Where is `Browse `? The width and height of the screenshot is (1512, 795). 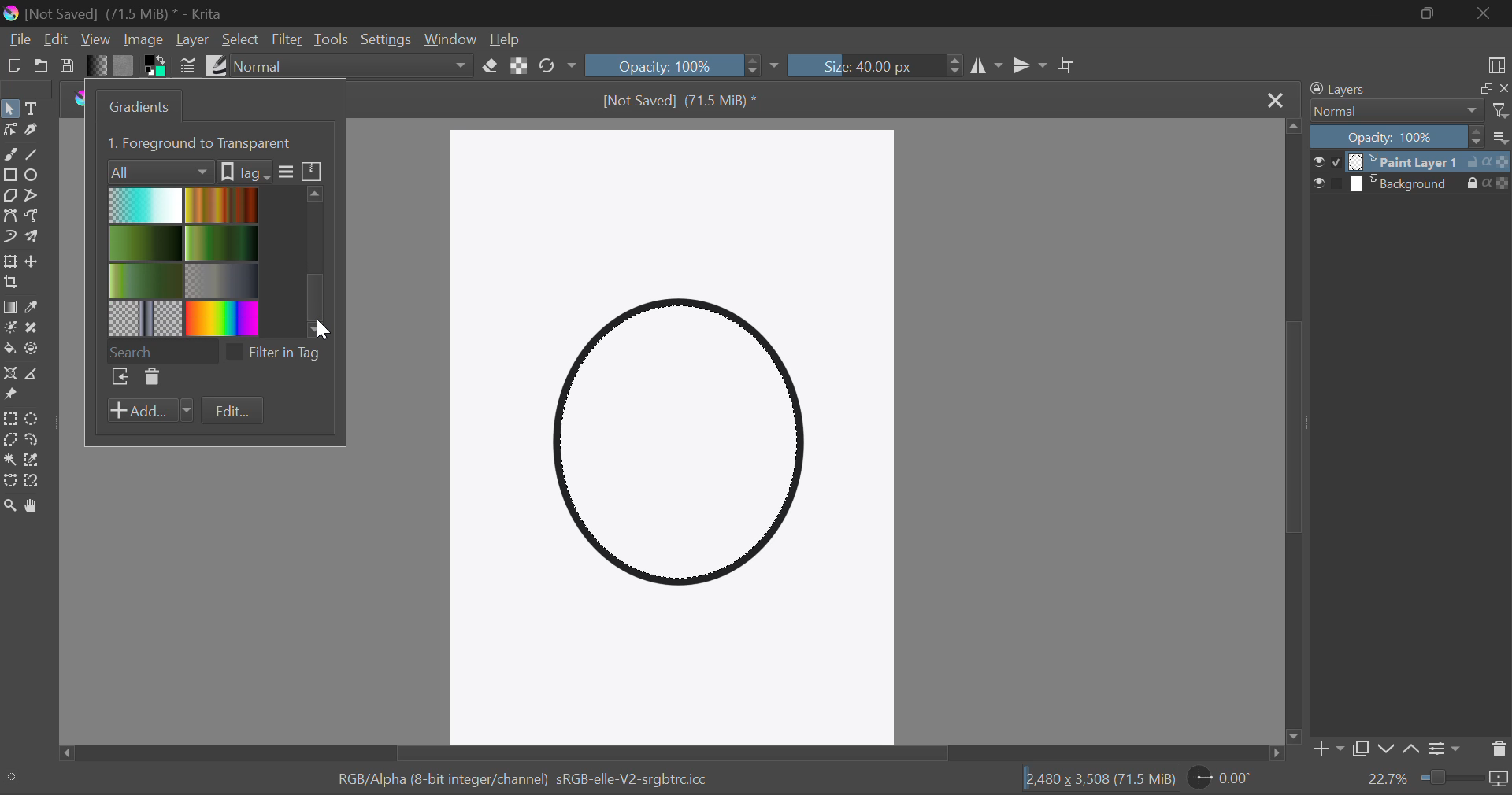
Browse  is located at coordinates (120, 377).